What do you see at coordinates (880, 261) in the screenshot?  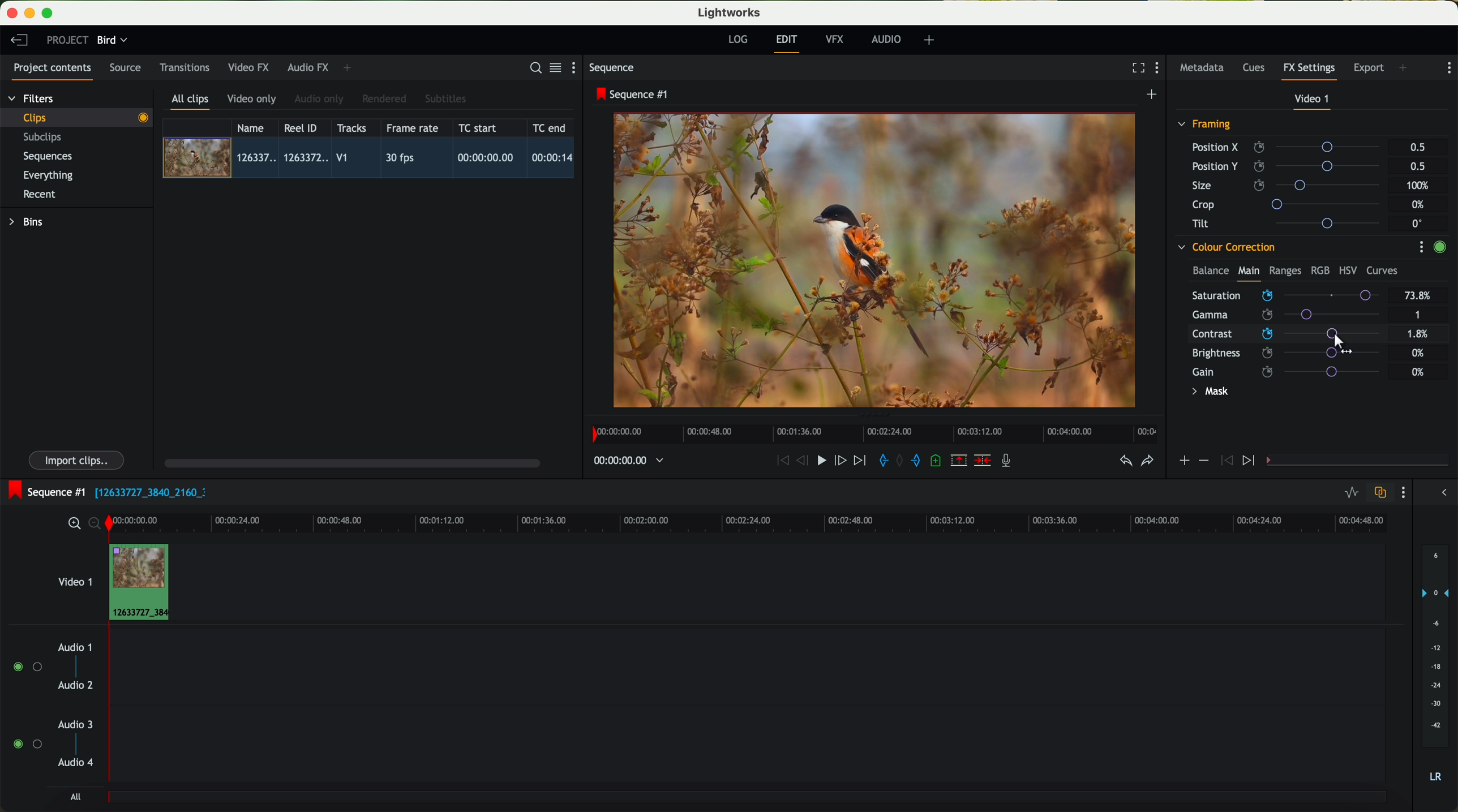 I see `video preview` at bounding box center [880, 261].